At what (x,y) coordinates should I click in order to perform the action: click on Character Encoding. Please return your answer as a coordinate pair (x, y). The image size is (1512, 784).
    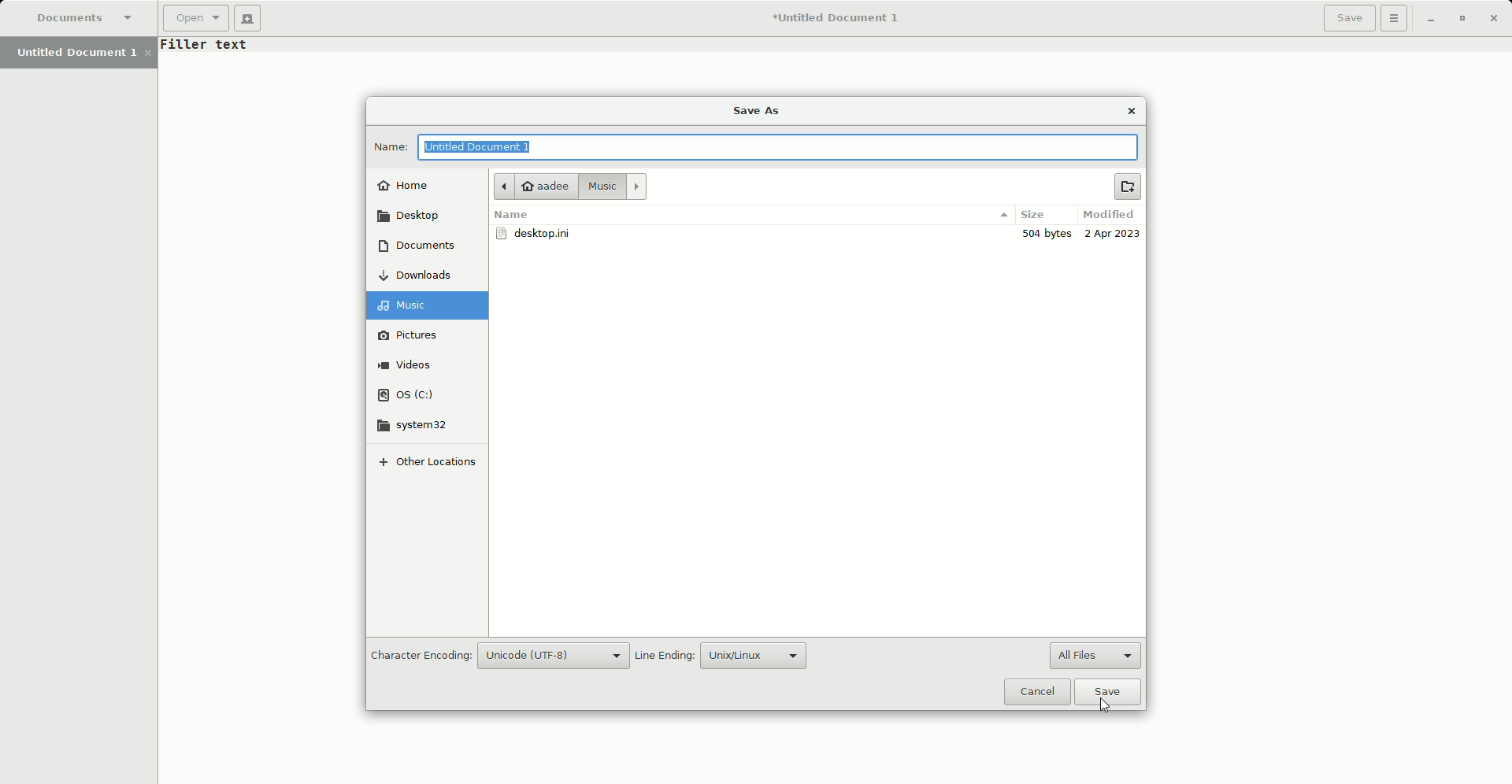
    Looking at the image, I should click on (498, 657).